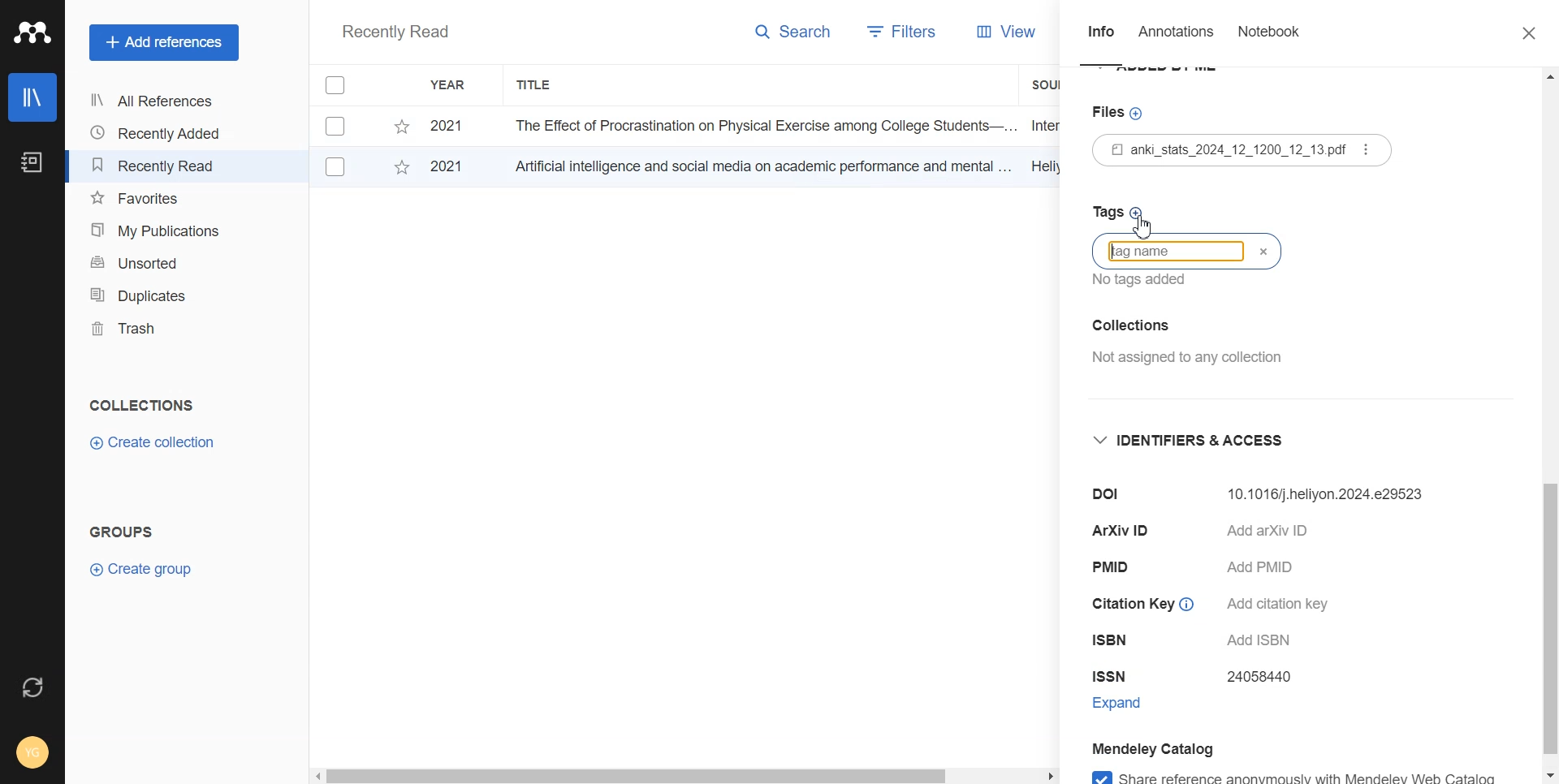 Image resolution: width=1559 pixels, height=784 pixels. Describe the element at coordinates (159, 329) in the screenshot. I see `Trash` at that location.